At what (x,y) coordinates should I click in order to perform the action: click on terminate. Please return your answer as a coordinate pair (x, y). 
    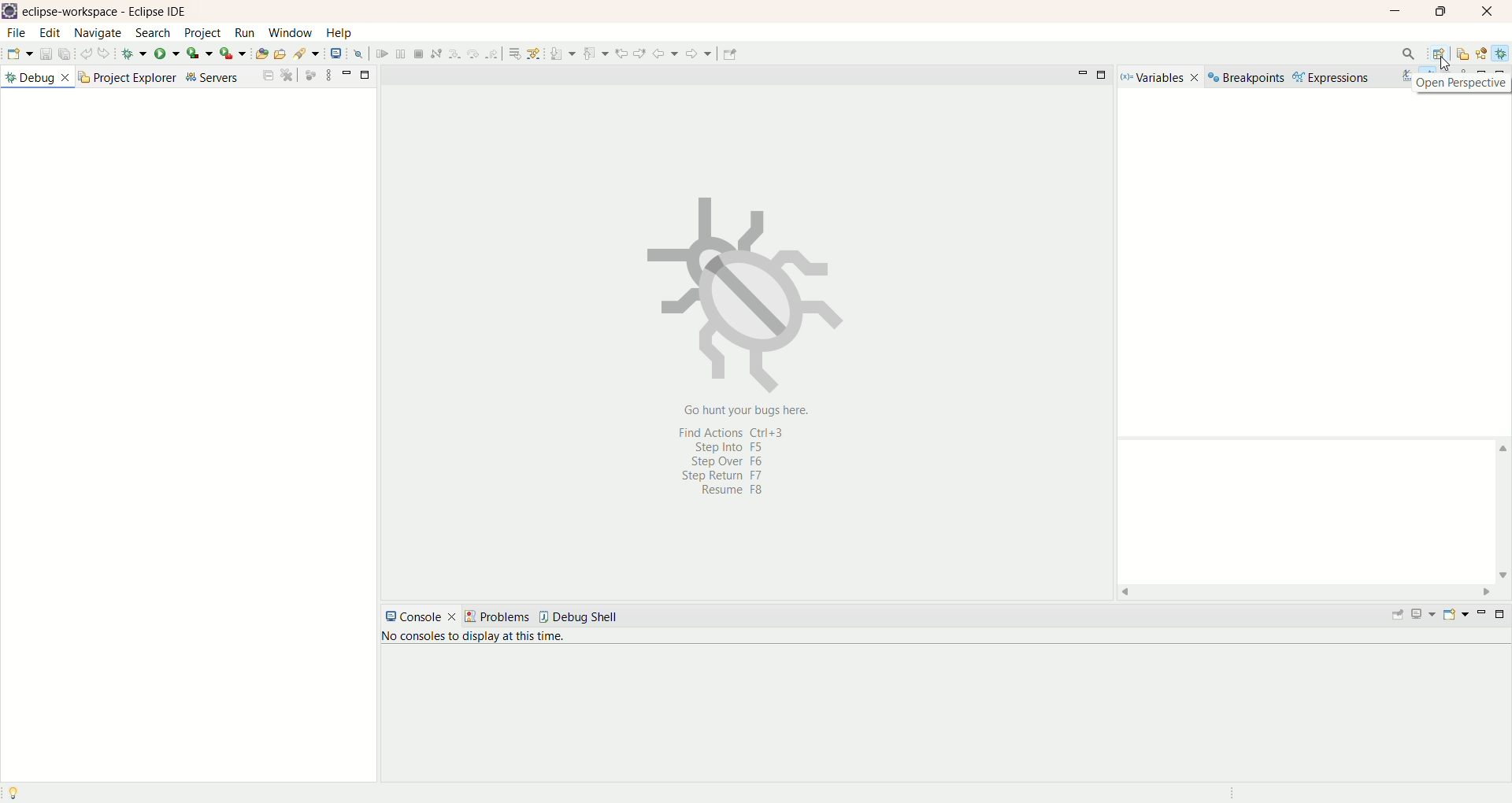
    Looking at the image, I should click on (533, 53).